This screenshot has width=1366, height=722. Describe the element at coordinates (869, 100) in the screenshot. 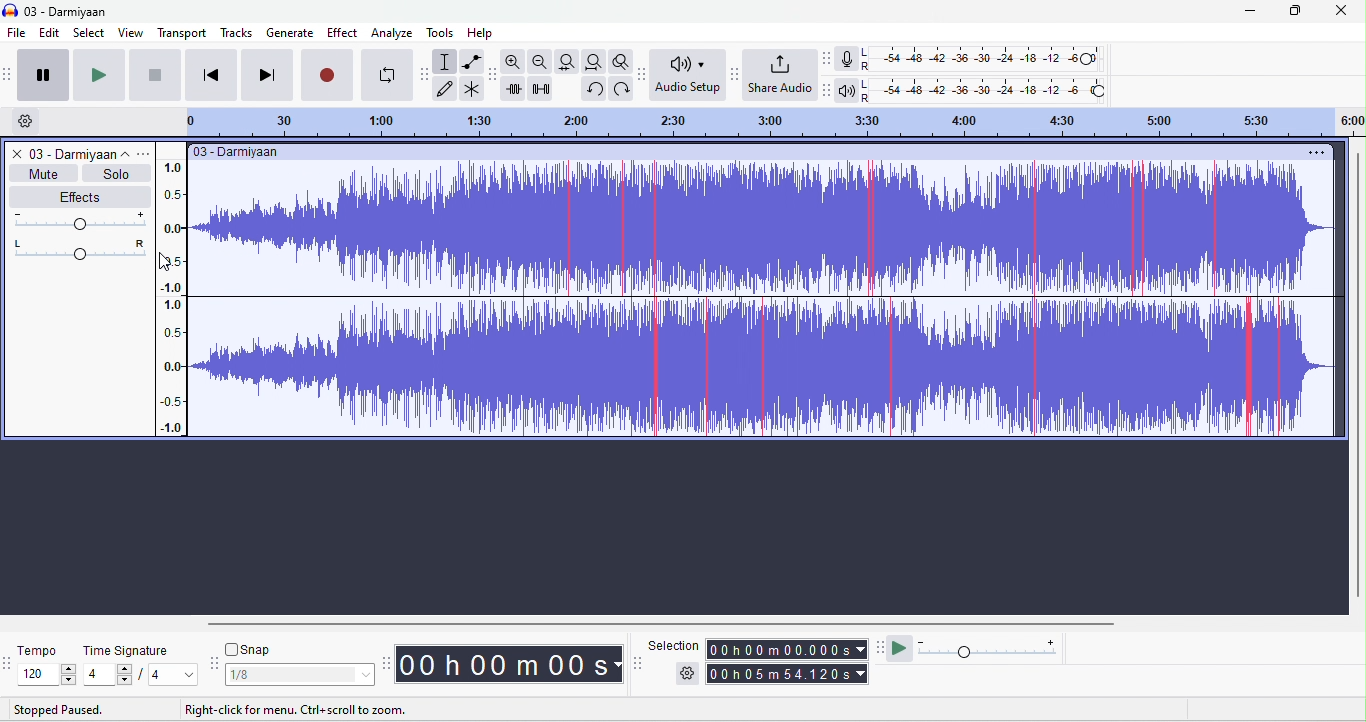

I see `R` at that location.